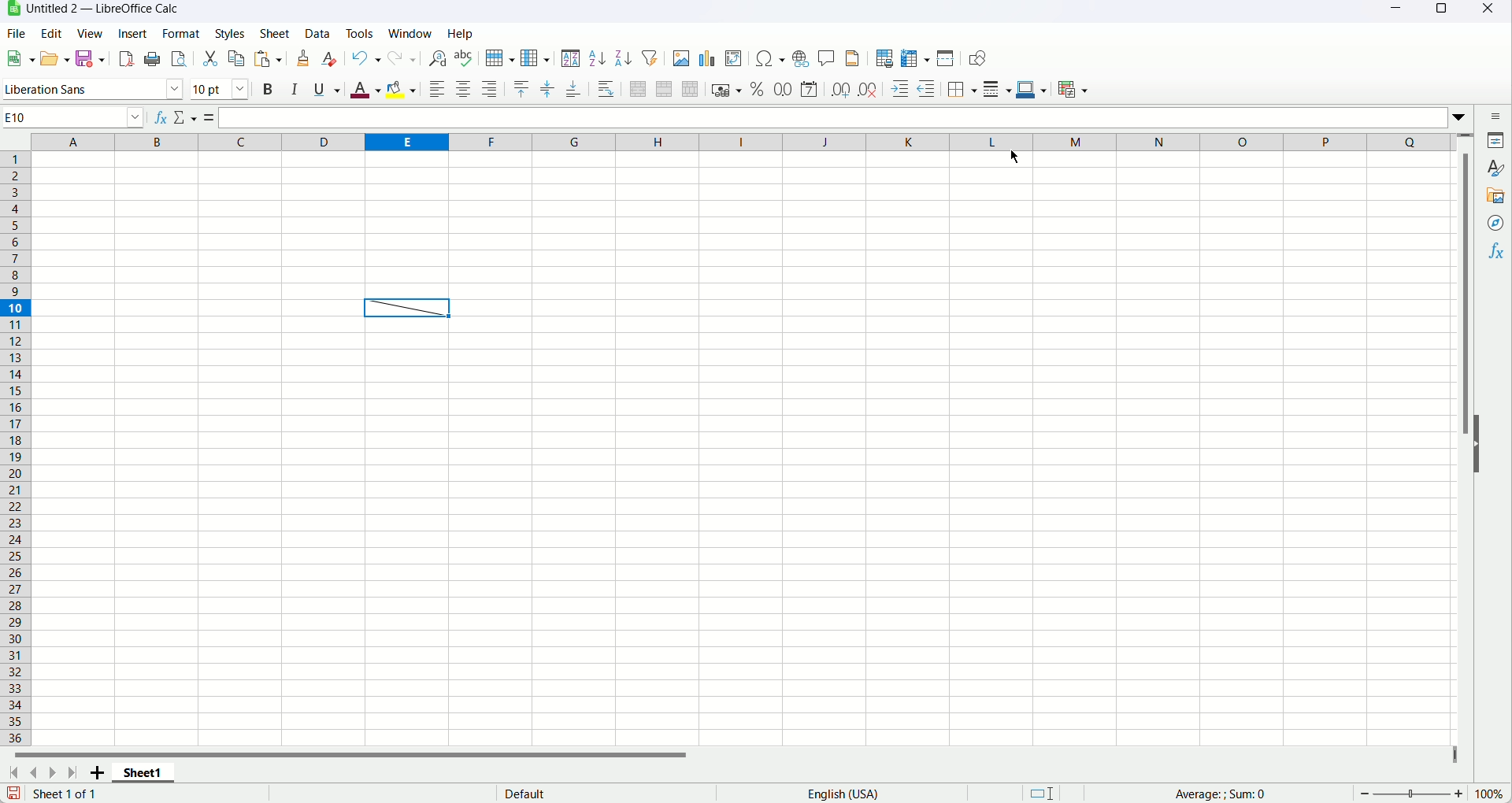  Describe the element at coordinates (181, 33) in the screenshot. I see `Format` at that location.